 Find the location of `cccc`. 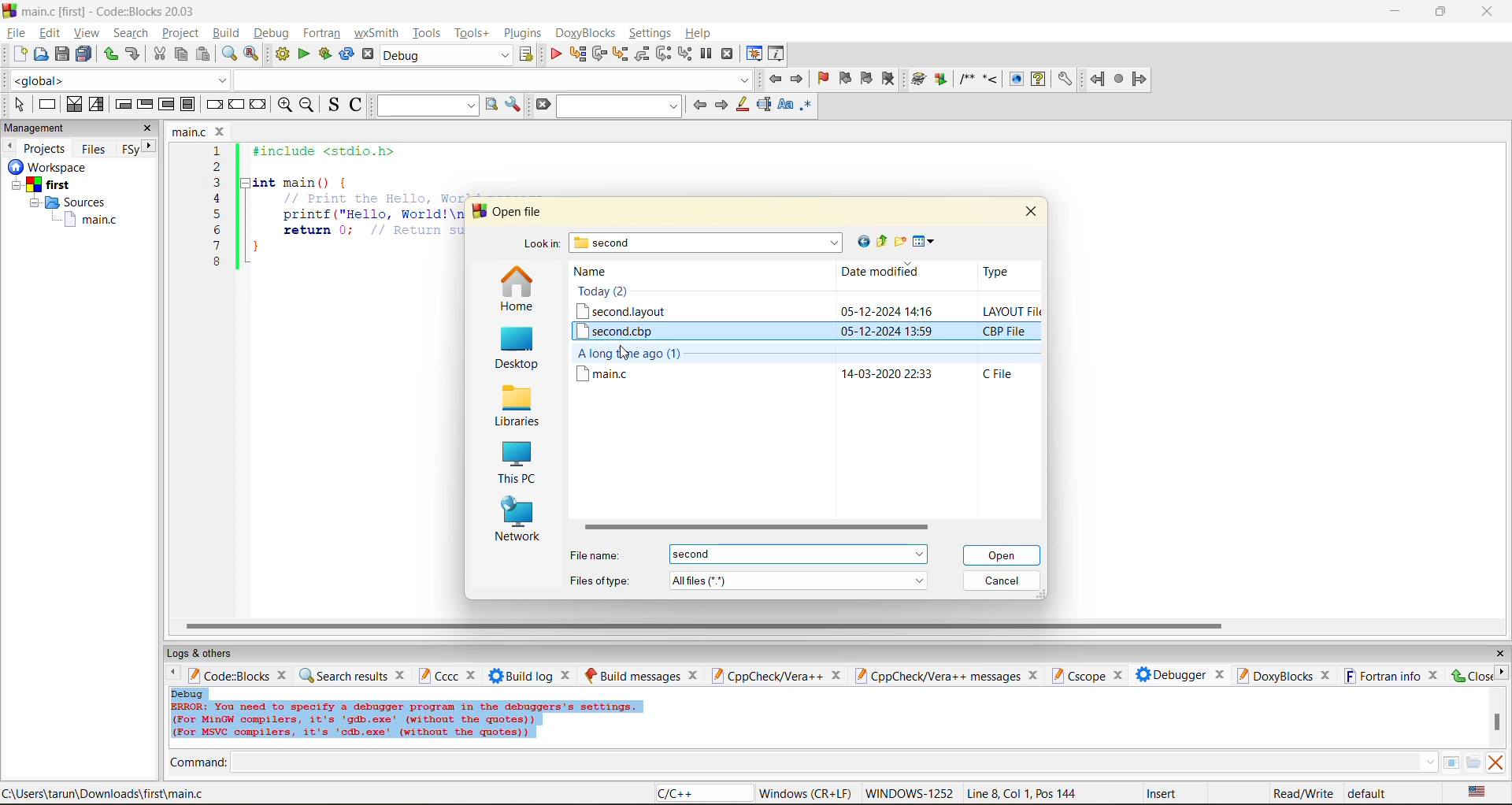

cccc is located at coordinates (438, 675).